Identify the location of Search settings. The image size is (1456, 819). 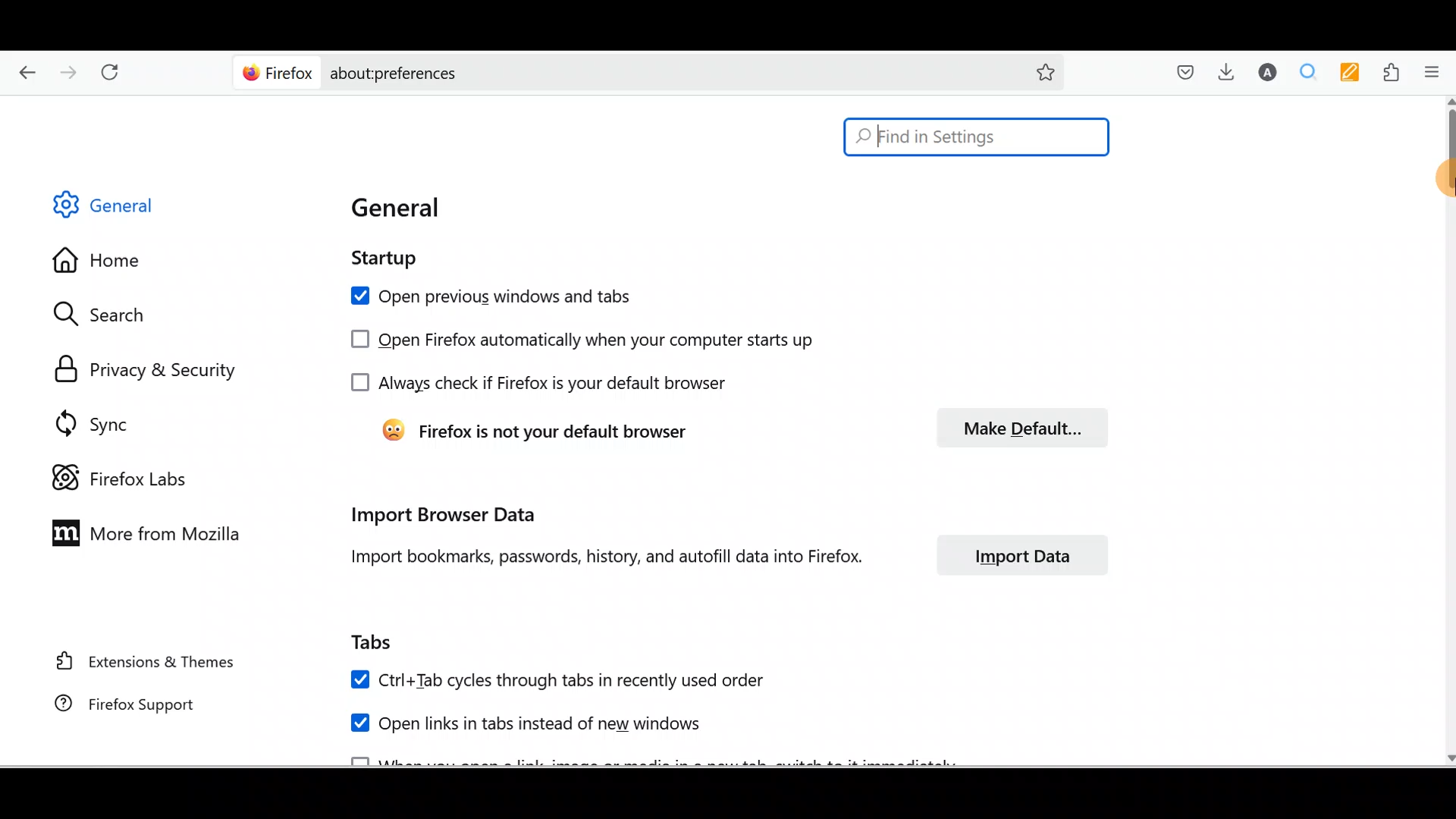
(113, 315).